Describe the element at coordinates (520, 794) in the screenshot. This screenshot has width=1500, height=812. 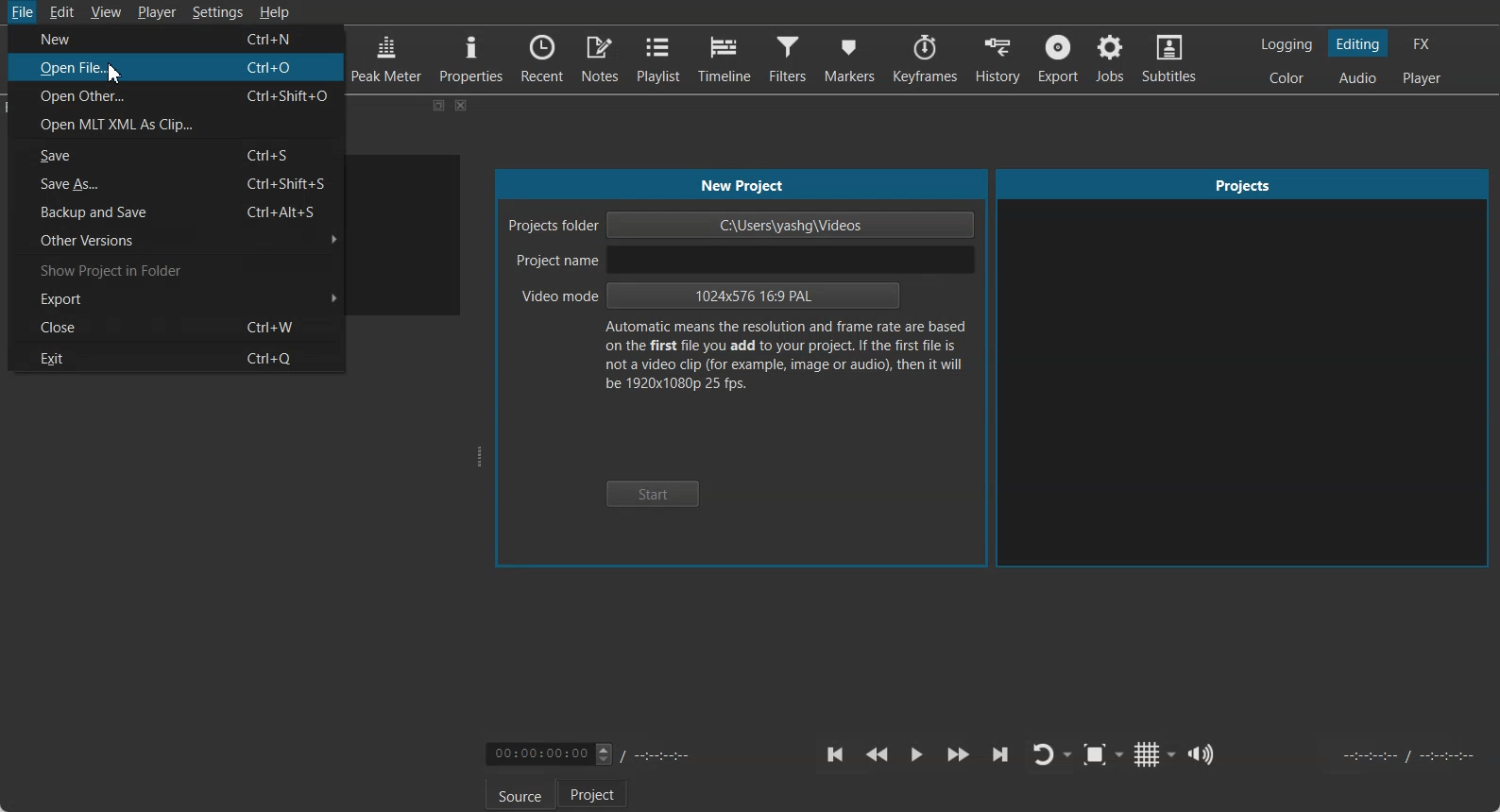
I see `Source` at that location.